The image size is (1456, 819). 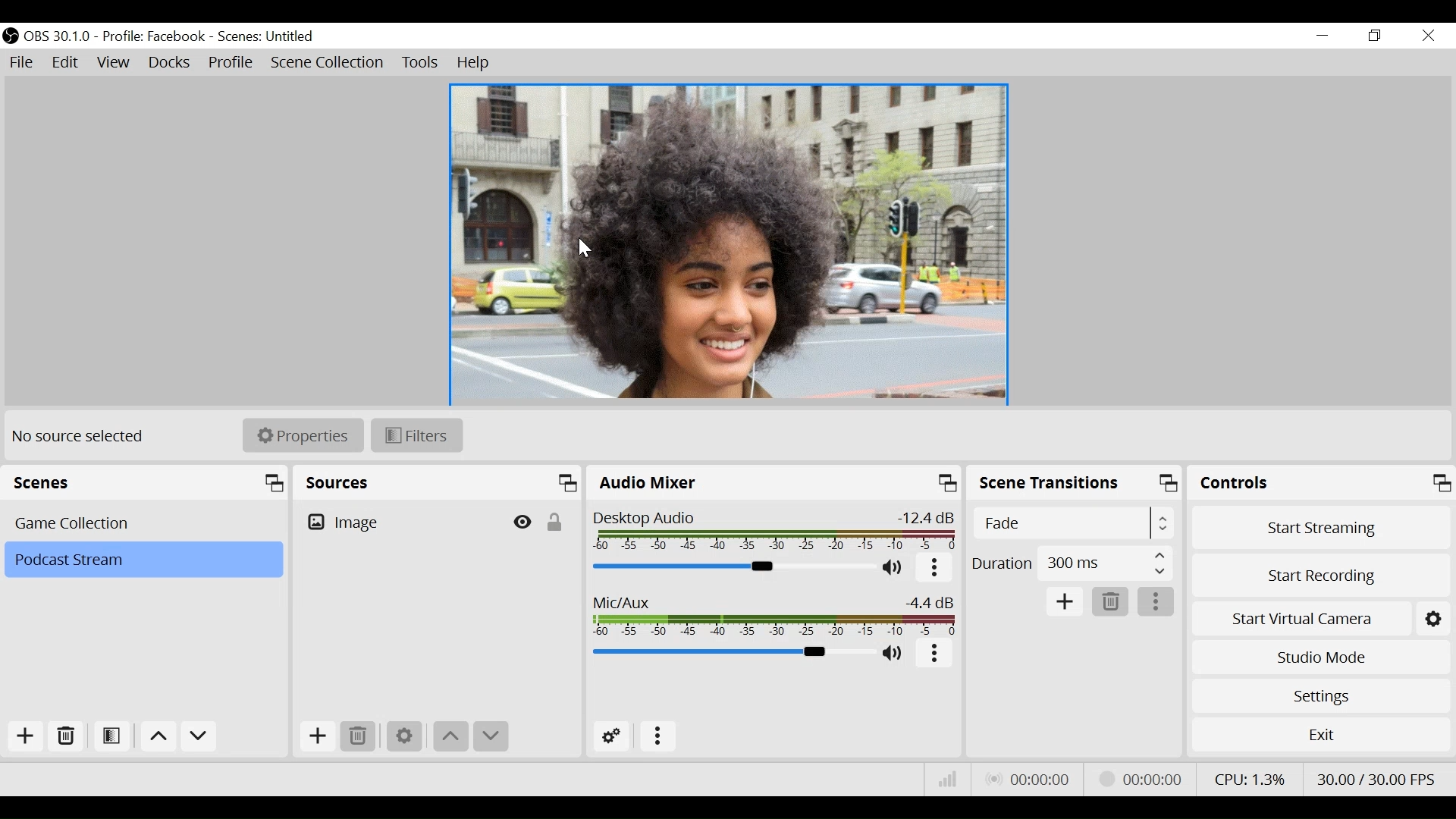 What do you see at coordinates (199, 739) in the screenshot?
I see `Move down` at bounding box center [199, 739].